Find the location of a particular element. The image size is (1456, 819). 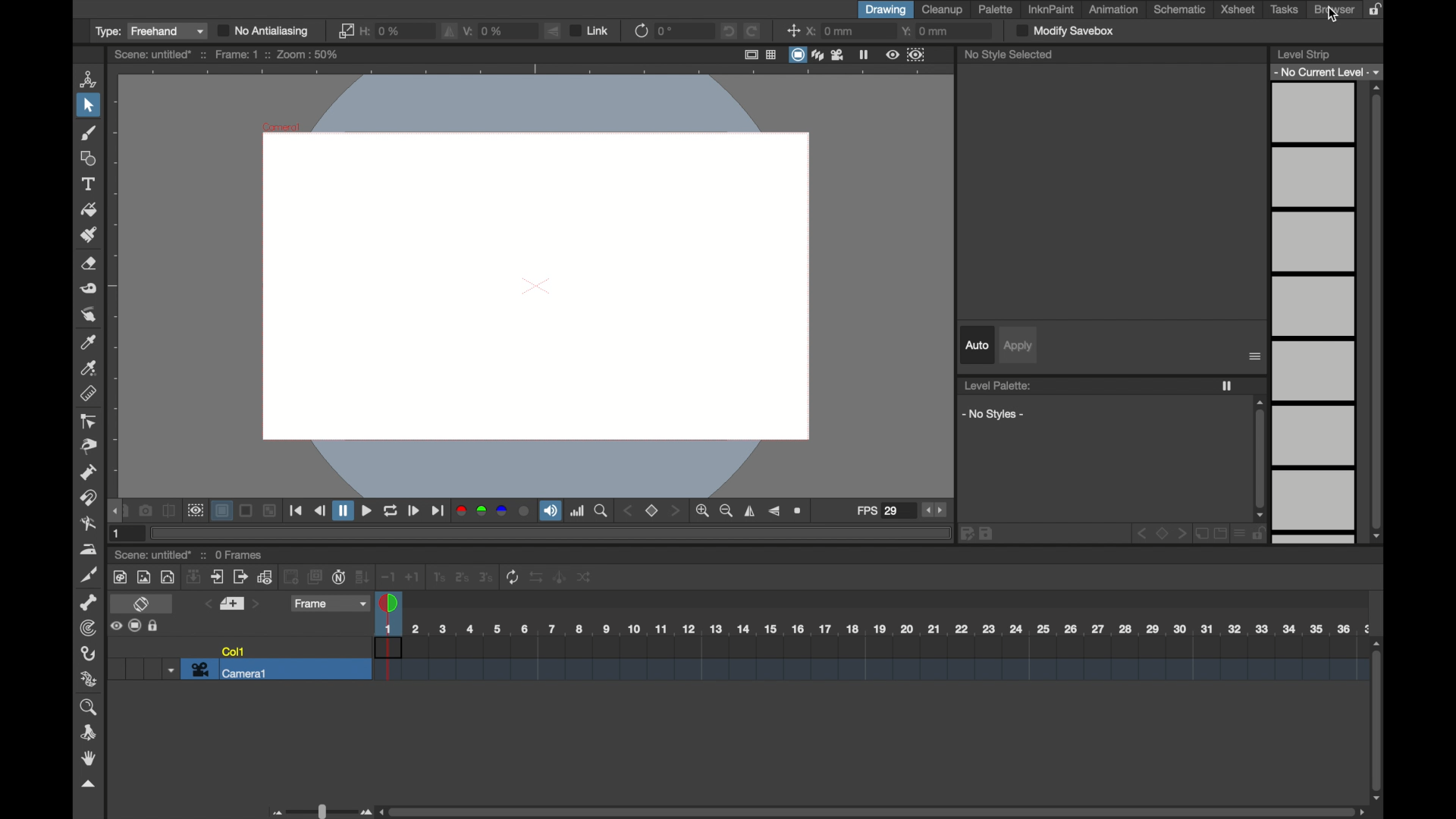

flip vertically is located at coordinates (553, 30).